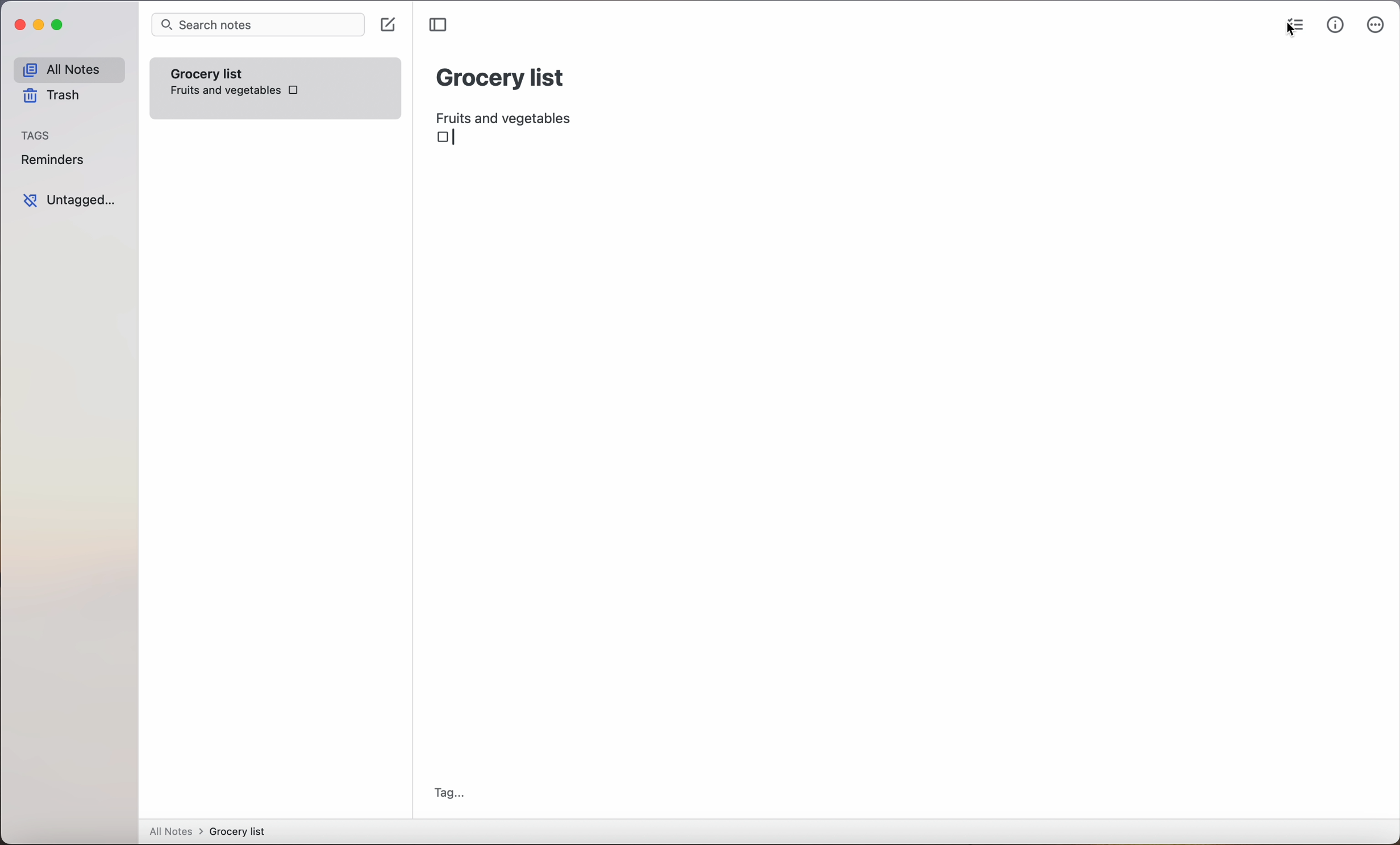  Describe the element at coordinates (447, 139) in the screenshot. I see `checkbox` at that location.